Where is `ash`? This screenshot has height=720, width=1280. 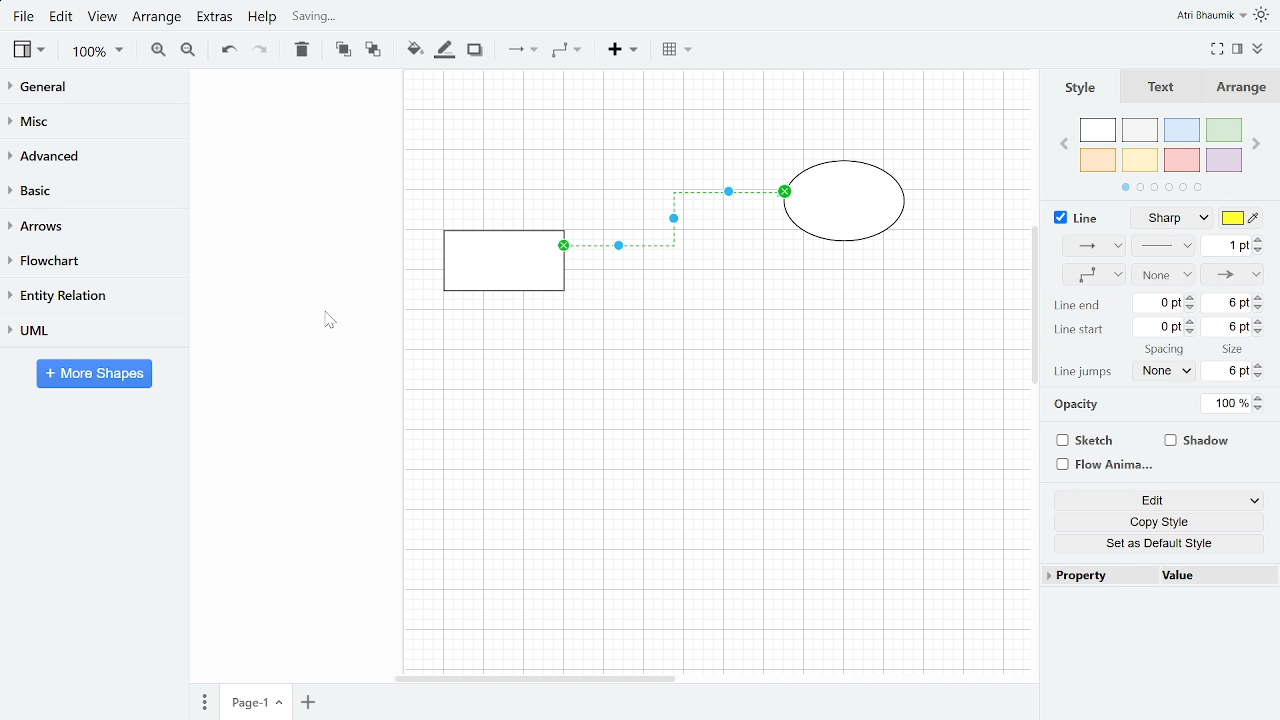
ash is located at coordinates (1141, 131).